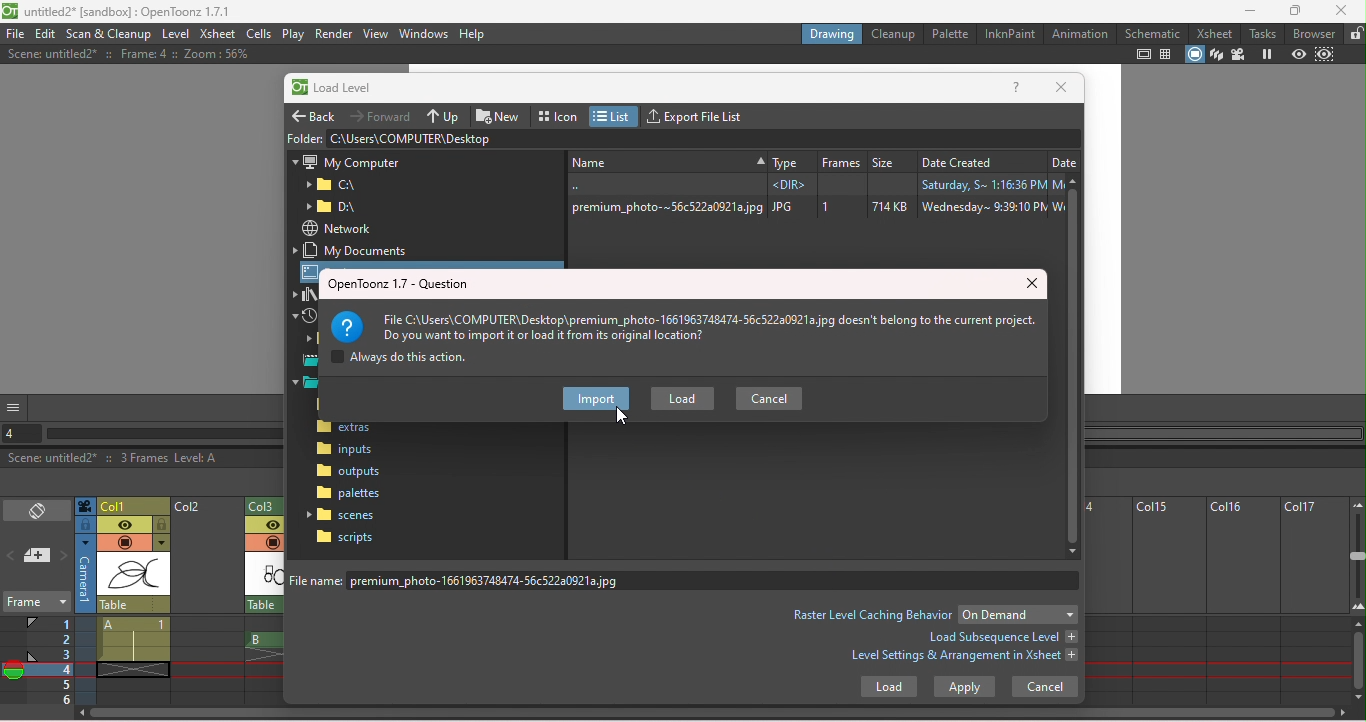  What do you see at coordinates (596, 400) in the screenshot?
I see `Import` at bounding box center [596, 400].